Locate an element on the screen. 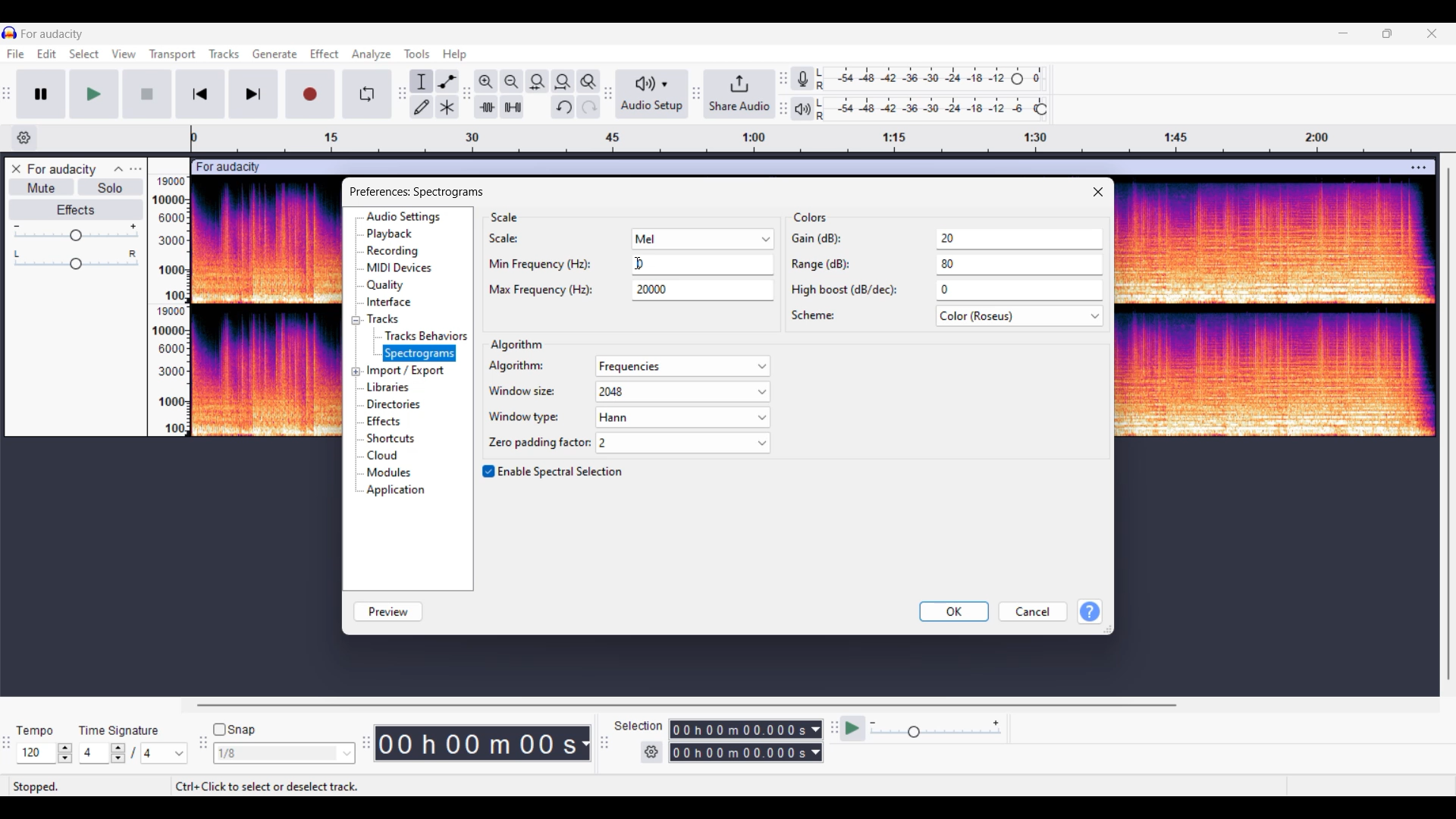 The image size is (1456, 819). Effect menu is located at coordinates (325, 54).